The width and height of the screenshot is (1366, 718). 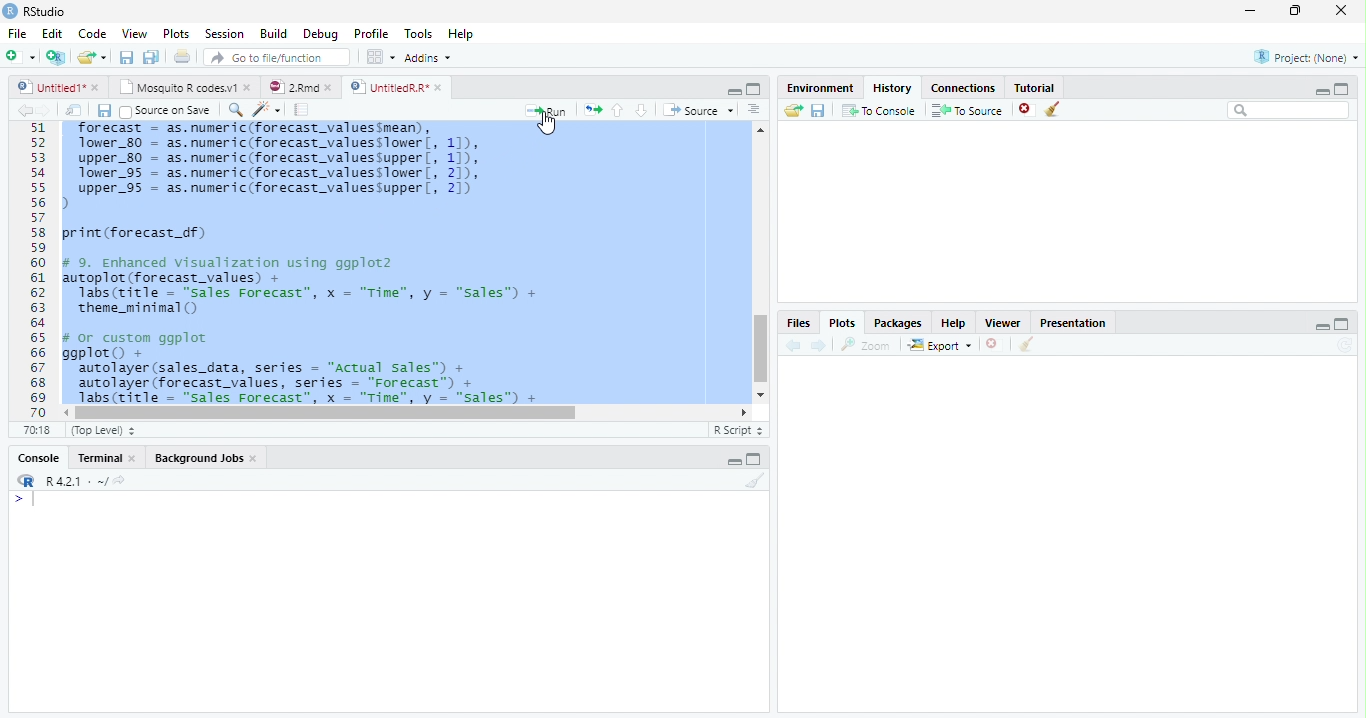 I want to click on Re-run, so click(x=591, y=110).